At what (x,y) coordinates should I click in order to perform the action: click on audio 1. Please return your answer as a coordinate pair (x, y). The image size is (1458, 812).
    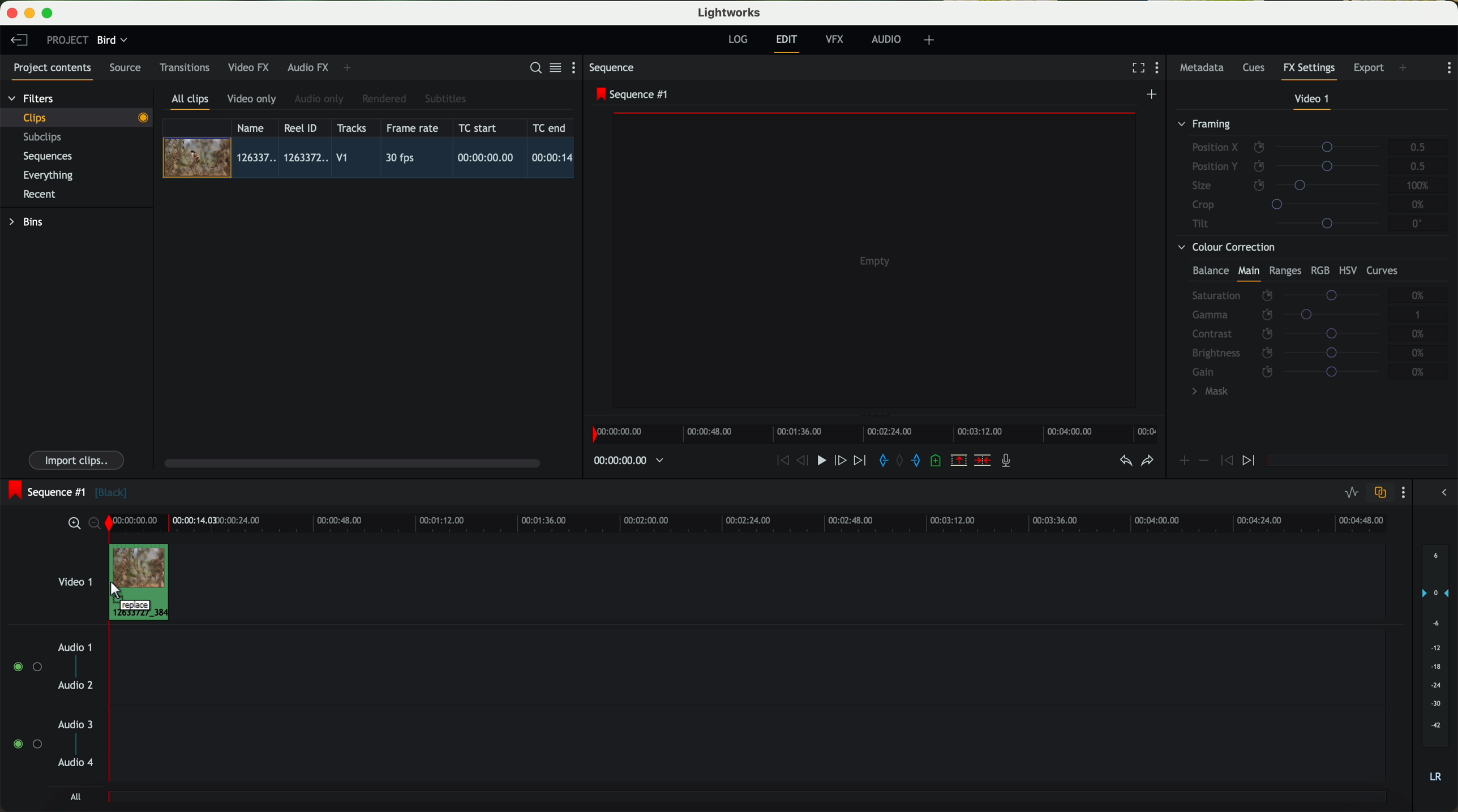
    Looking at the image, I should click on (75, 647).